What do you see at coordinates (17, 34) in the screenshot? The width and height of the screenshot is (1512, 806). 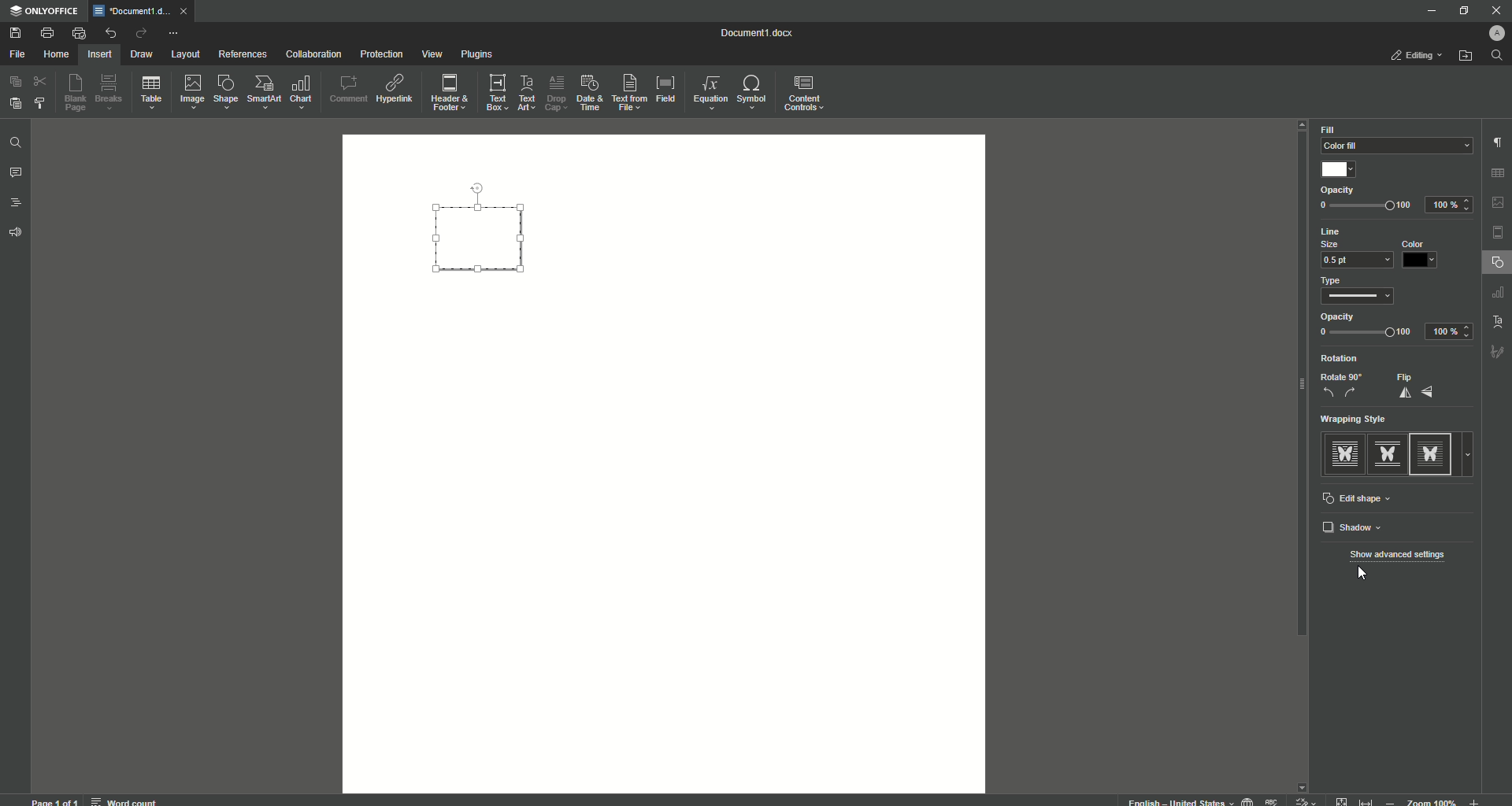 I see `Save` at bounding box center [17, 34].